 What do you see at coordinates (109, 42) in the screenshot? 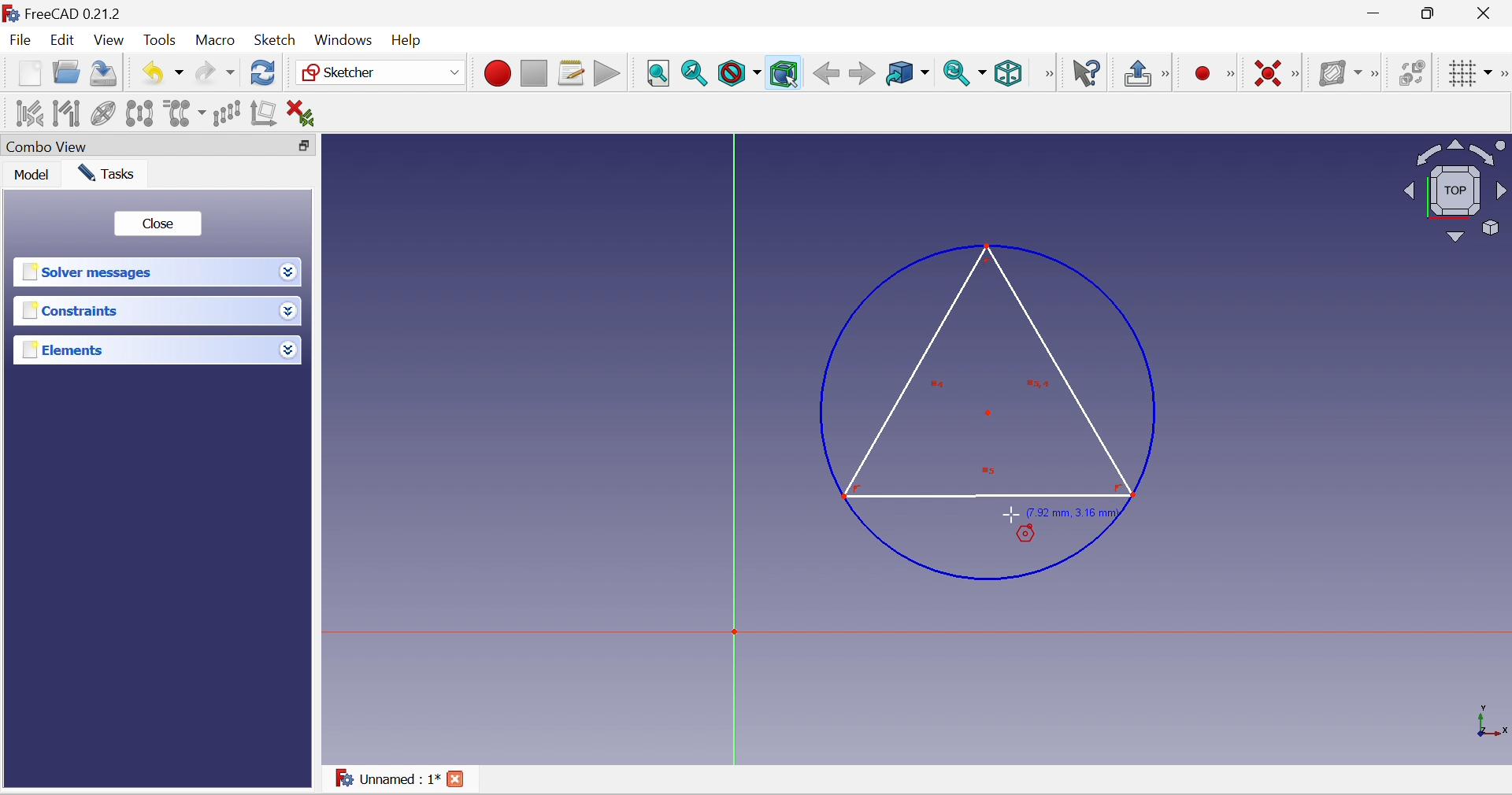
I see `View` at bounding box center [109, 42].